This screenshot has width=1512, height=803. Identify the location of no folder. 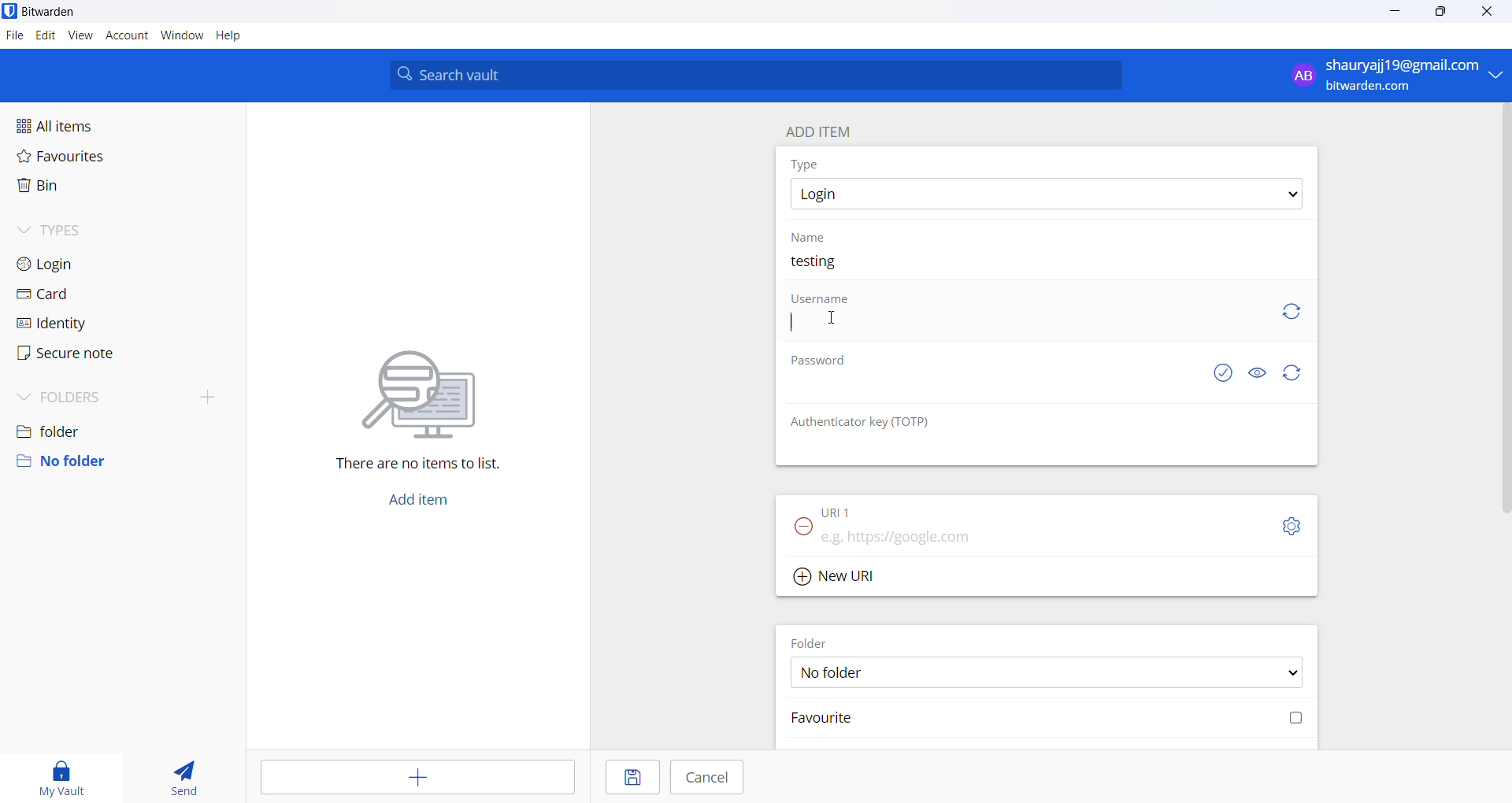
(117, 461).